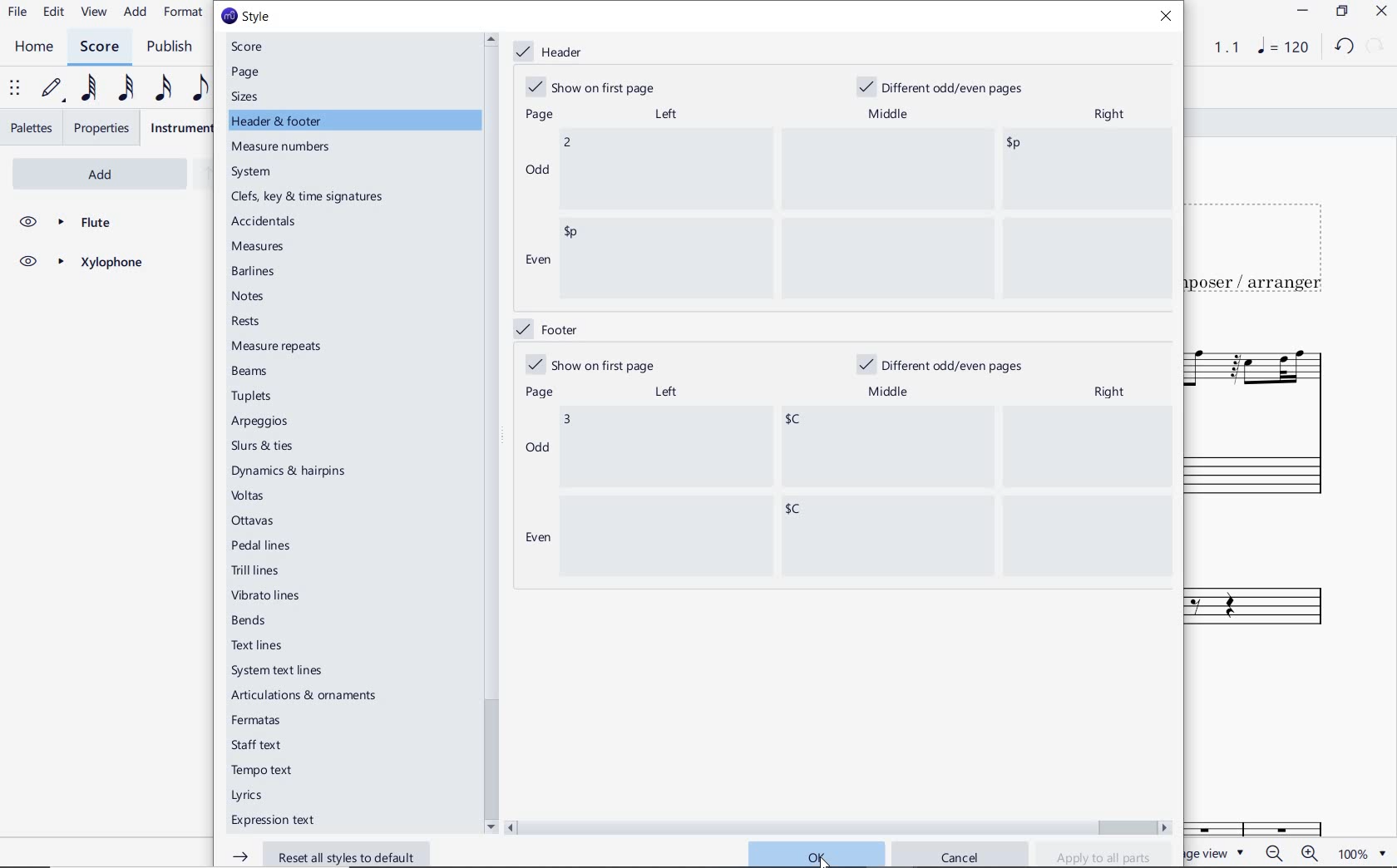  What do you see at coordinates (311, 197) in the screenshot?
I see `clefs, key & time signatures` at bounding box center [311, 197].